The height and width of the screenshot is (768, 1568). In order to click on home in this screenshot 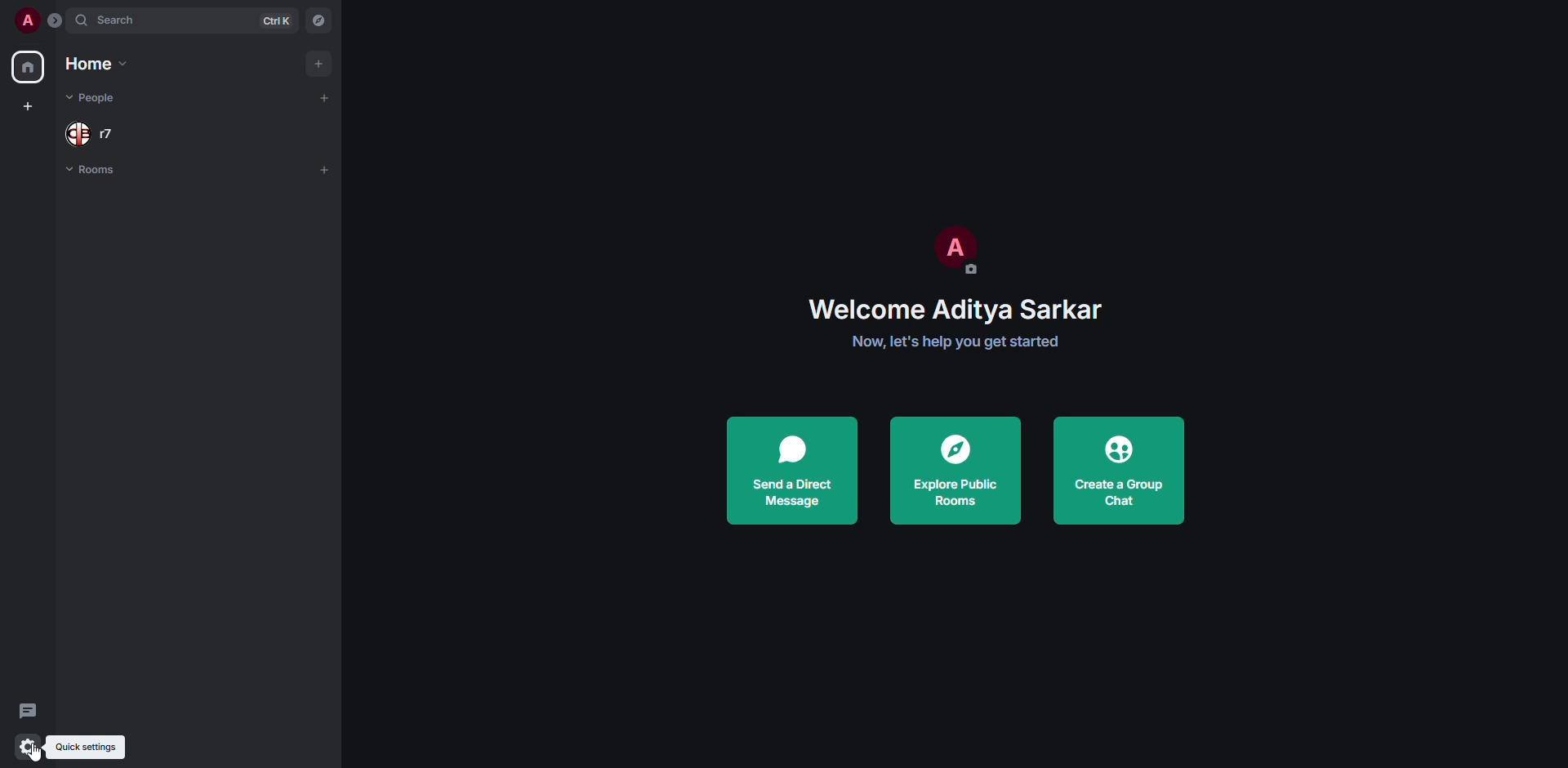, I will do `click(95, 64)`.